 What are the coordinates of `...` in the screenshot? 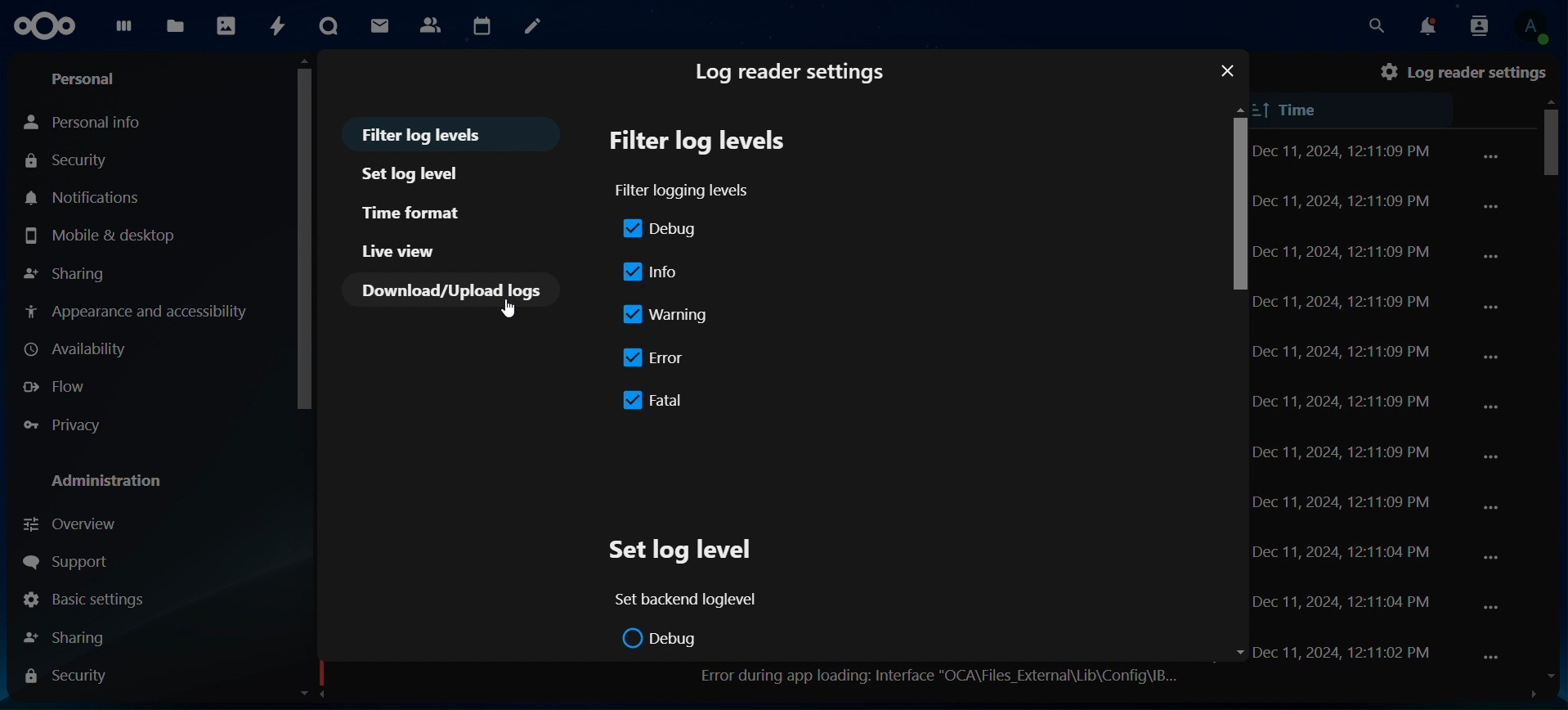 It's located at (1490, 556).